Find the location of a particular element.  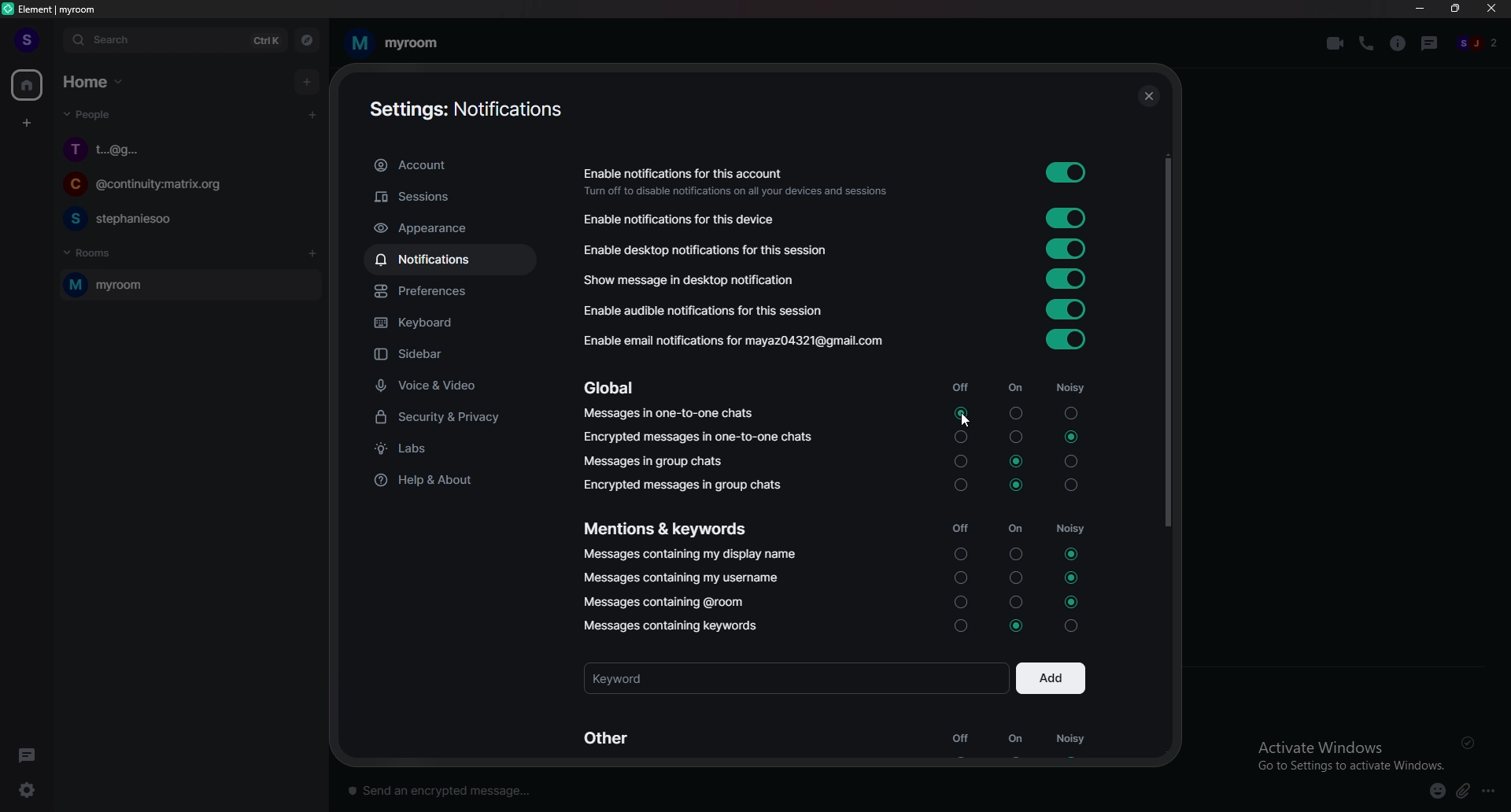

messages in group chat is located at coordinates (656, 463).